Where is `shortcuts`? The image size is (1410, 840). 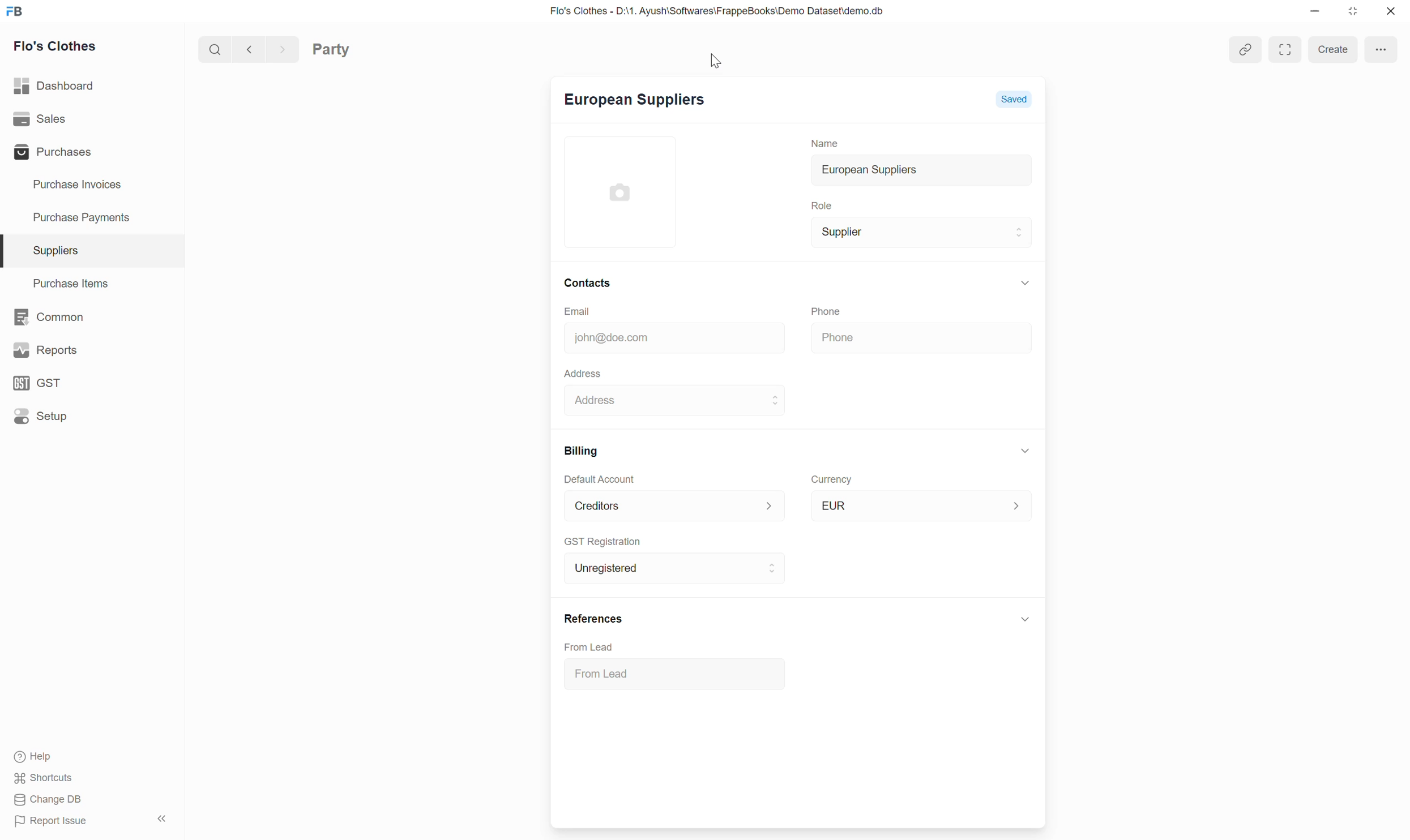 shortcuts is located at coordinates (42, 779).